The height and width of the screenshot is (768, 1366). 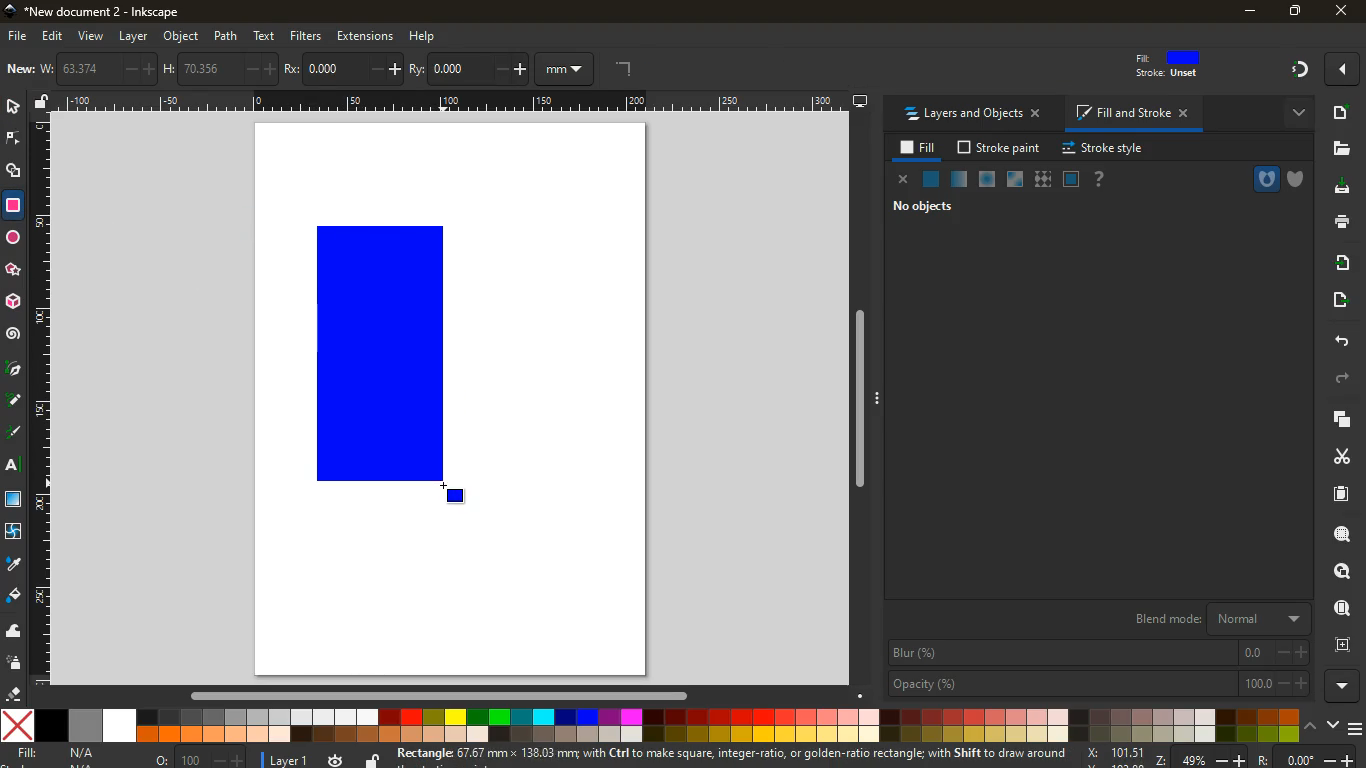 I want to click on view, so click(x=91, y=37).